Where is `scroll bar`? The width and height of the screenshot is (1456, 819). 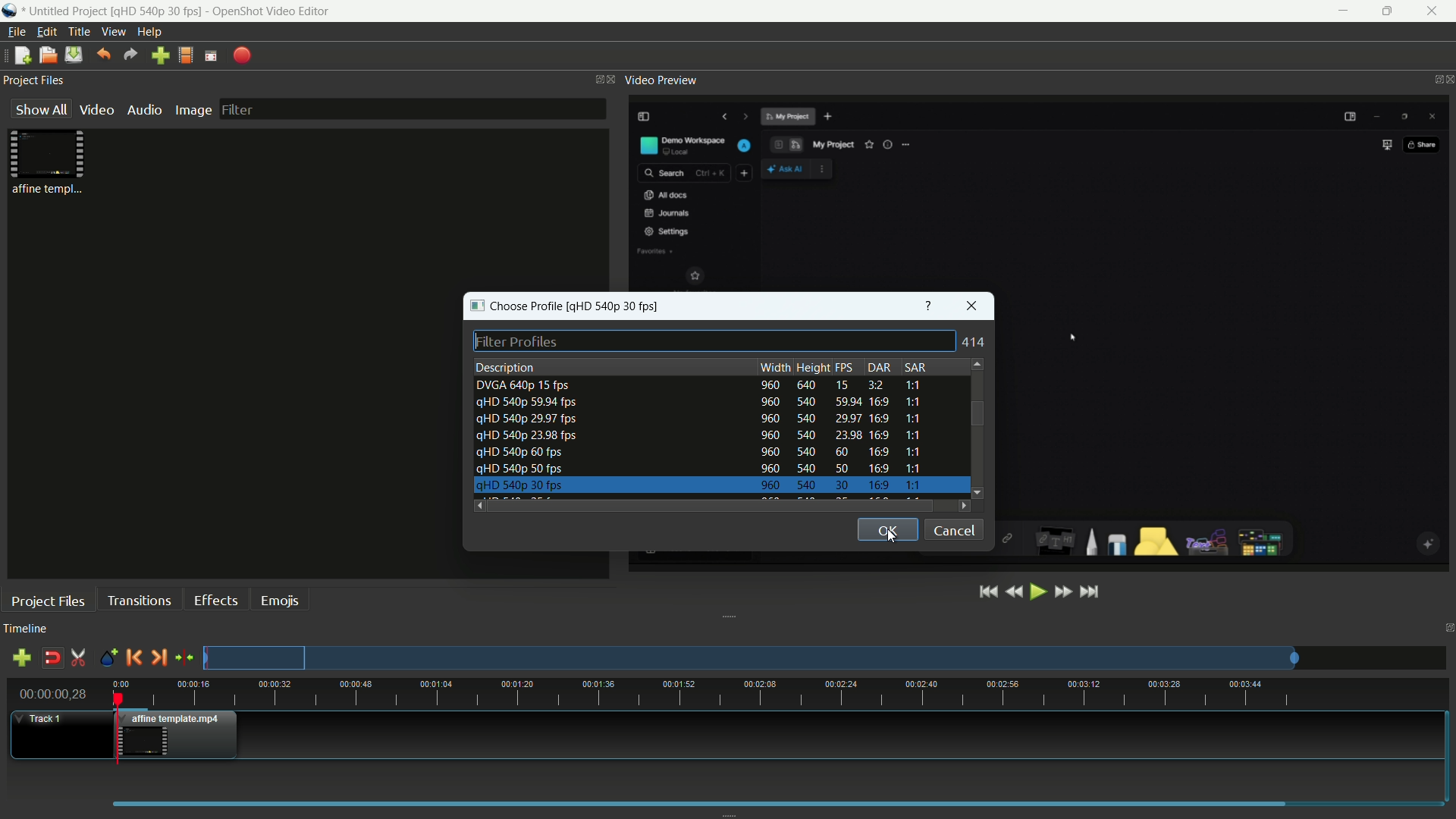 scroll bar is located at coordinates (709, 506).